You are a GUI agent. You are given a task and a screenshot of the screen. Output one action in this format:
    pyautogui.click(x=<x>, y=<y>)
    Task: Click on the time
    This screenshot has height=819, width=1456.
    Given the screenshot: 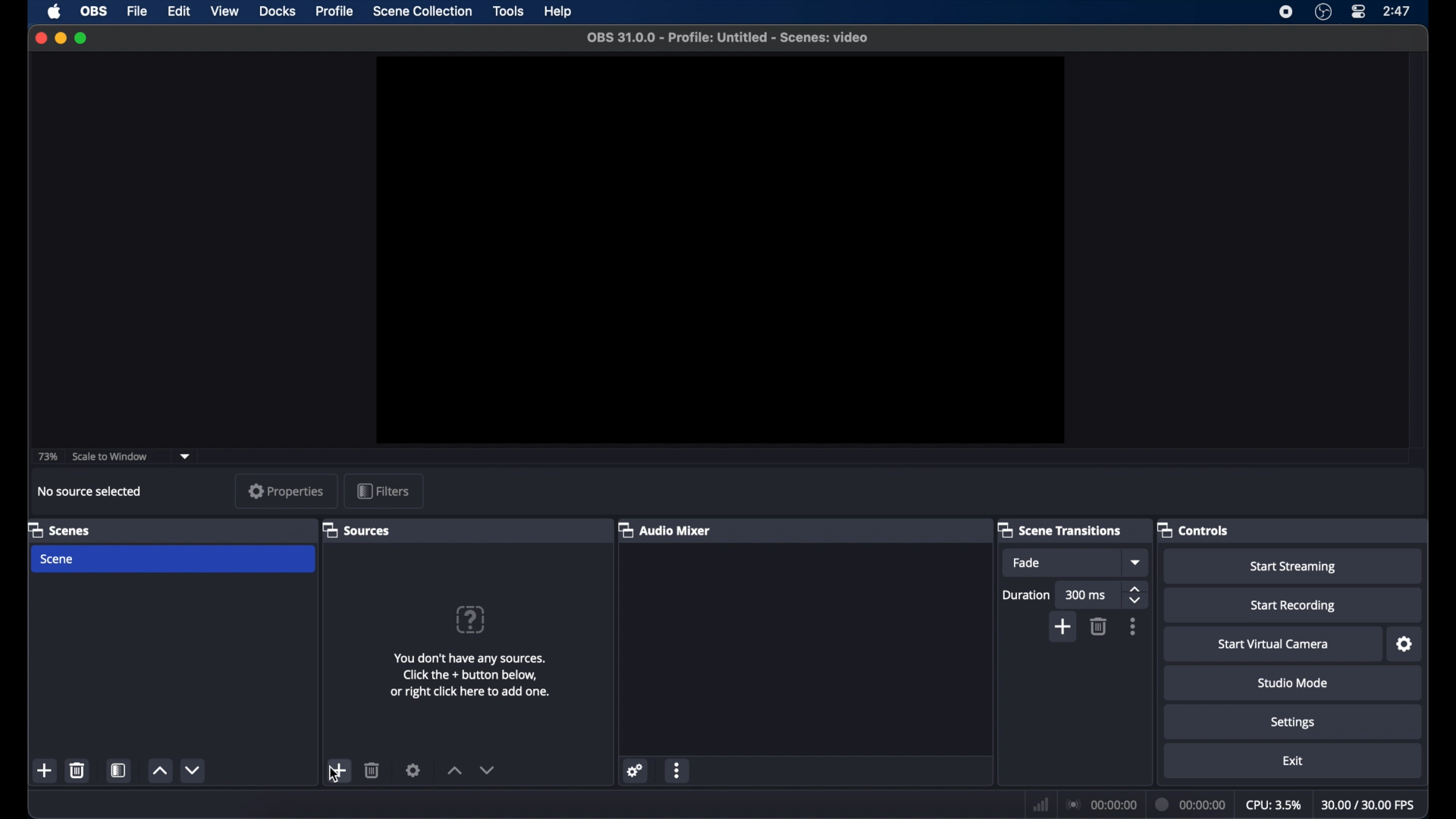 What is the action you would take?
    pyautogui.click(x=1398, y=11)
    